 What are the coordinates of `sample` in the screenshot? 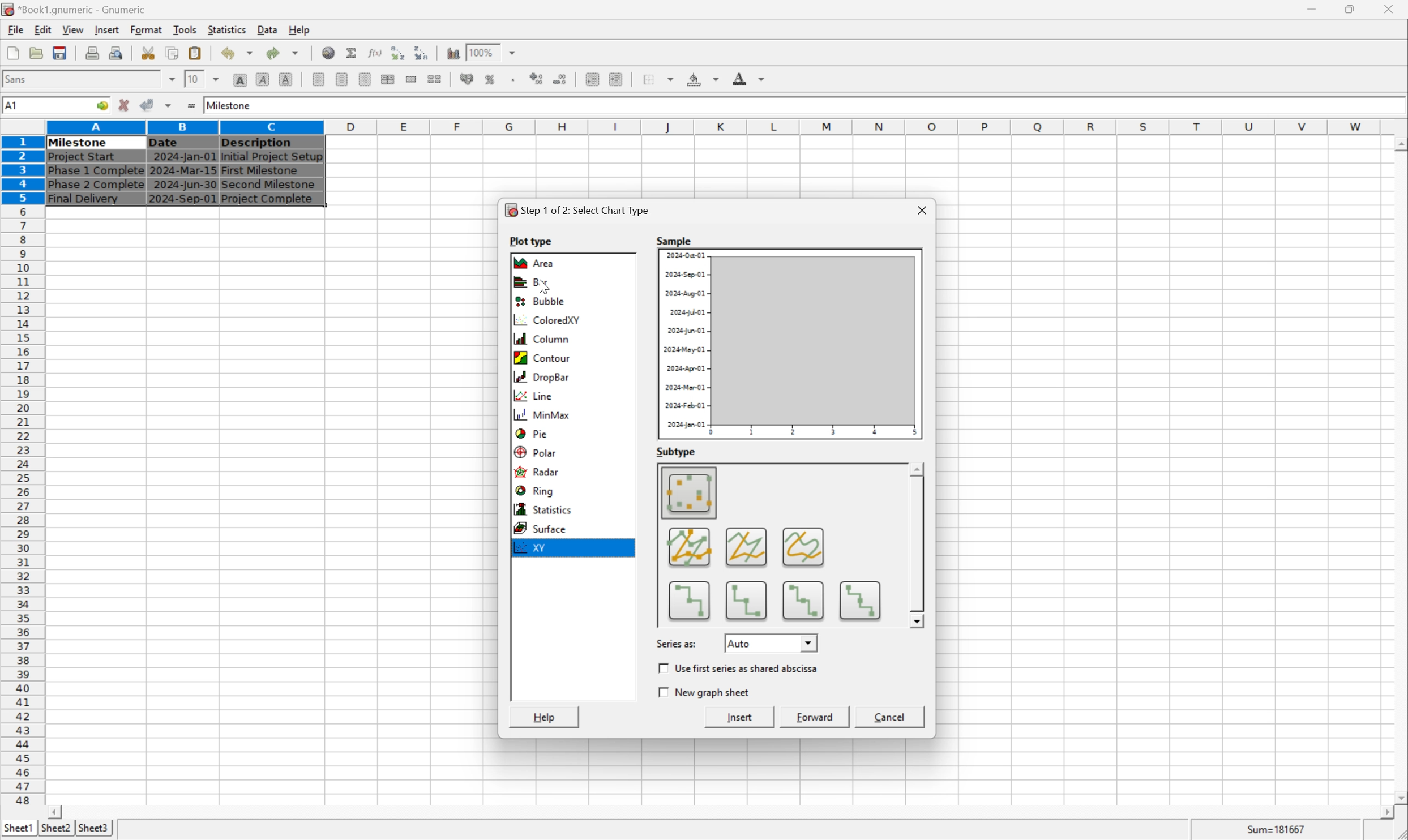 It's located at (675, 239).